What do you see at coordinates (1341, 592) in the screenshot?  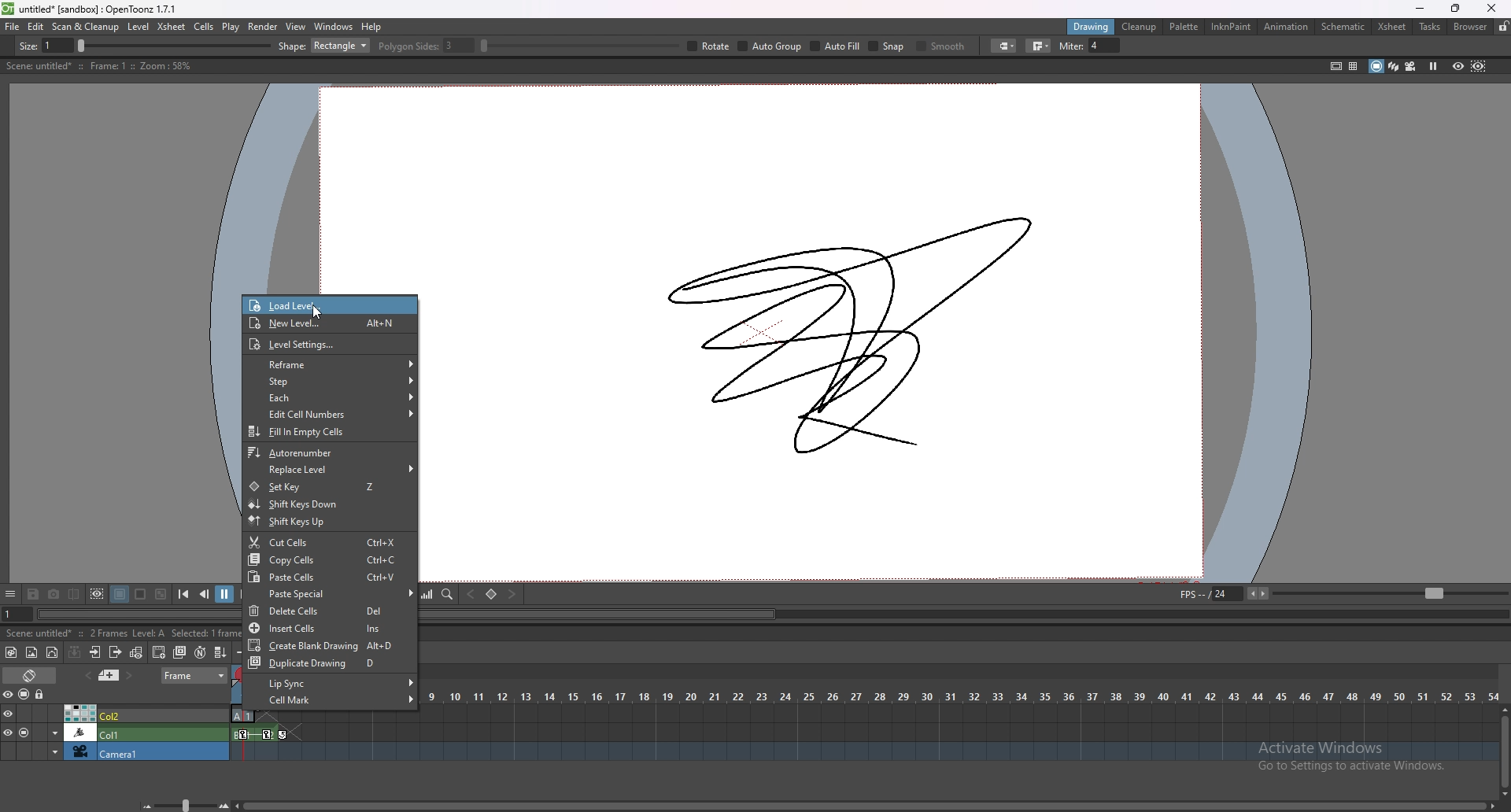 I see `fps` at bounding box center [1341, 592].